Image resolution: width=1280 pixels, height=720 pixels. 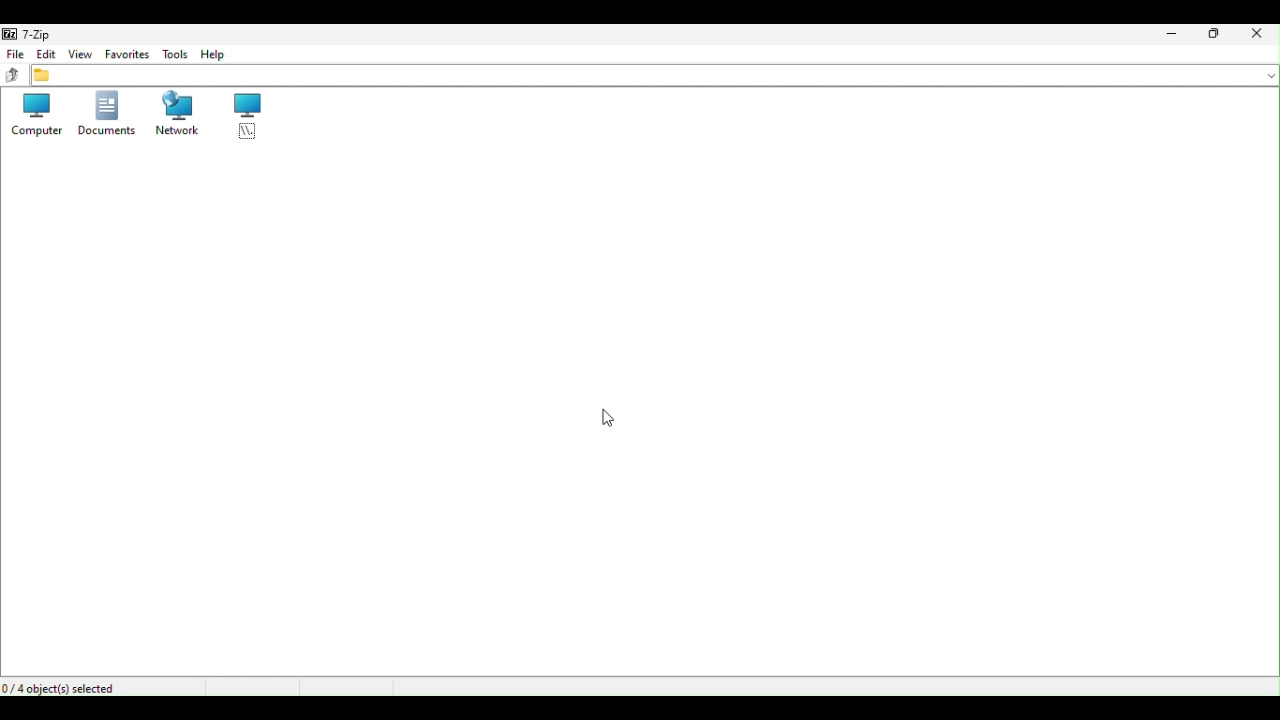 What do you see at coordinates (131, 55) in the screenshot?
I see `Favourite` at bounding box center [131, 55].